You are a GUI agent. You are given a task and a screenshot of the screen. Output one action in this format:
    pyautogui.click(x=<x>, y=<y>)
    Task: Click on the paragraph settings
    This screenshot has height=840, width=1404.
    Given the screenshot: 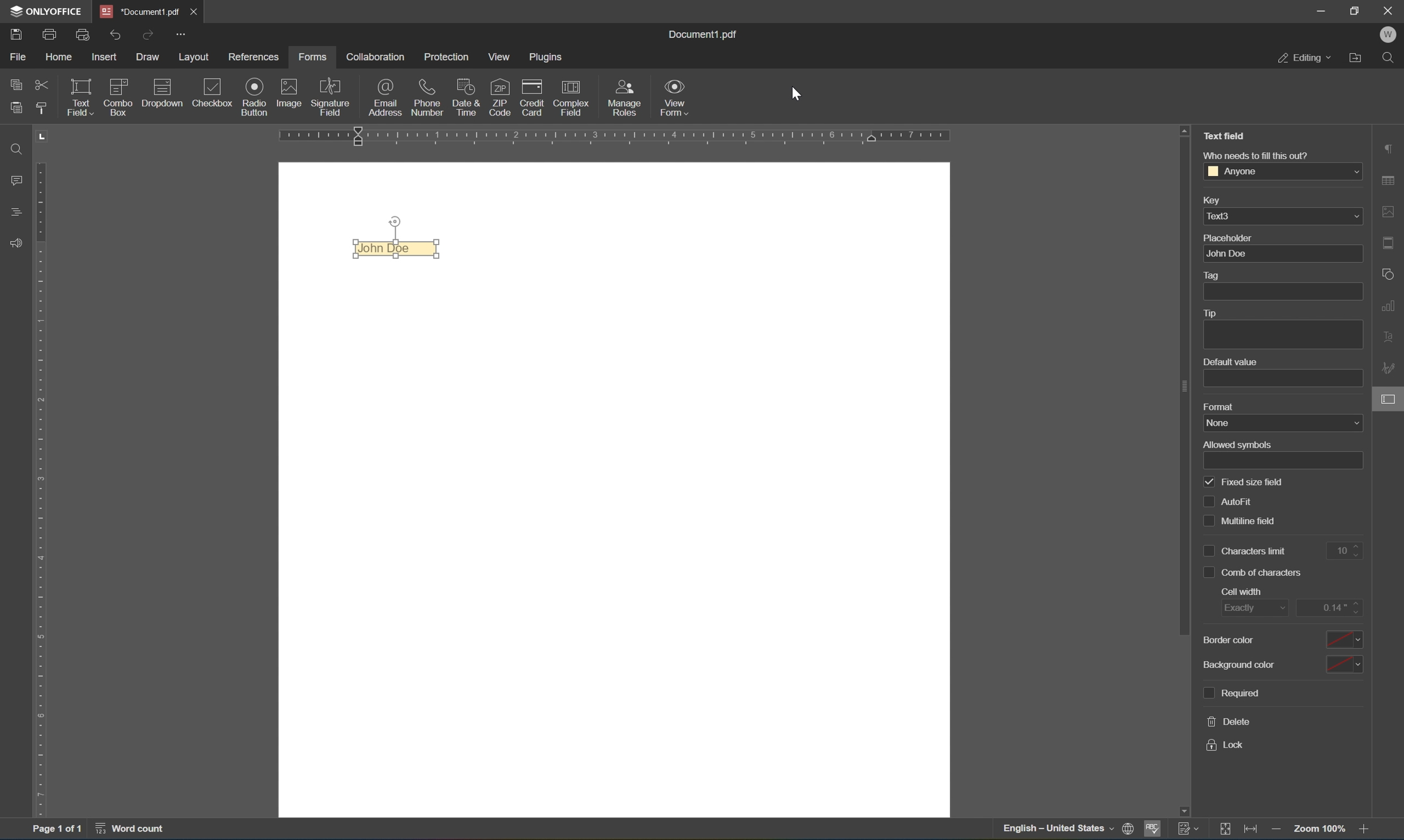 What is the action you would take?
    pyautogui.click(x=1392, y=149)
    